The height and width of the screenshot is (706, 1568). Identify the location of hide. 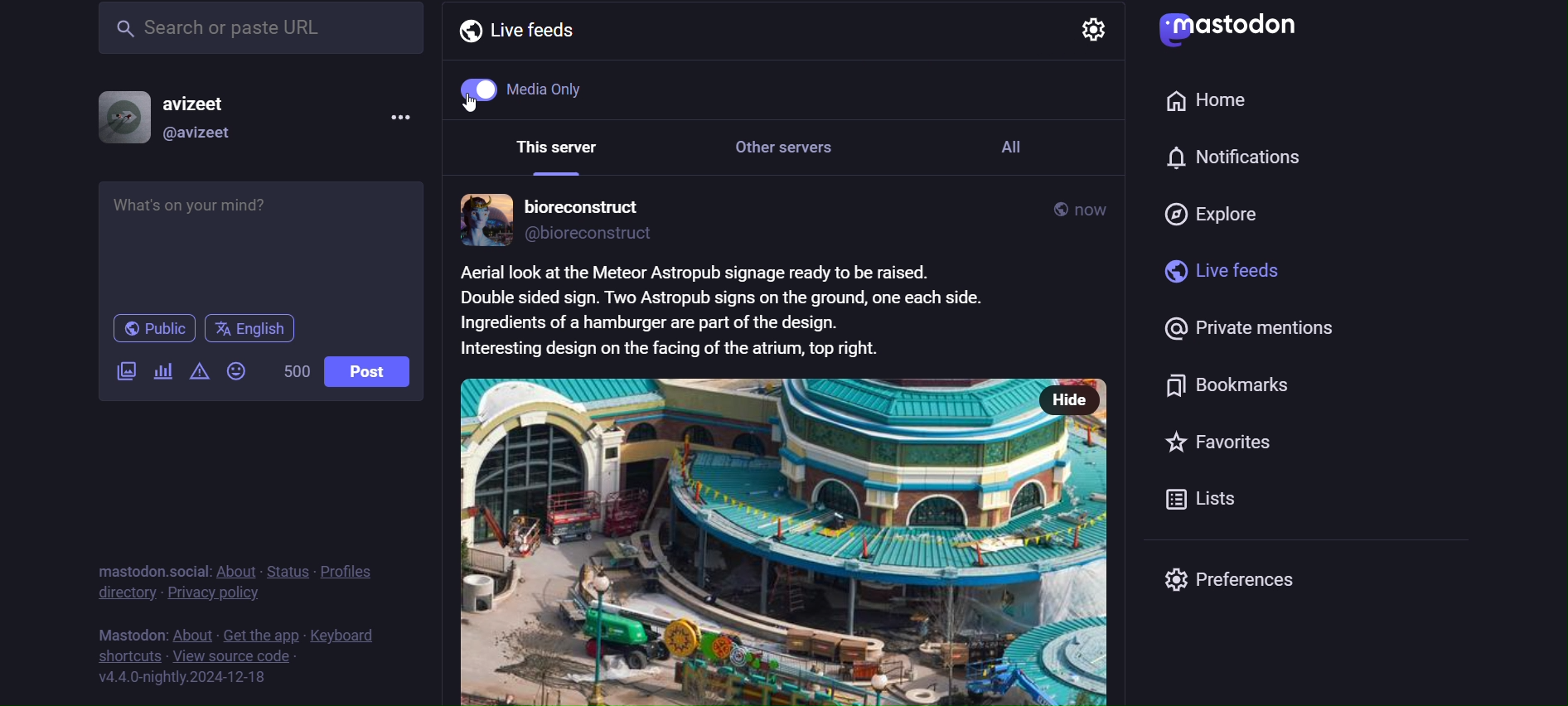
(1071, 400).